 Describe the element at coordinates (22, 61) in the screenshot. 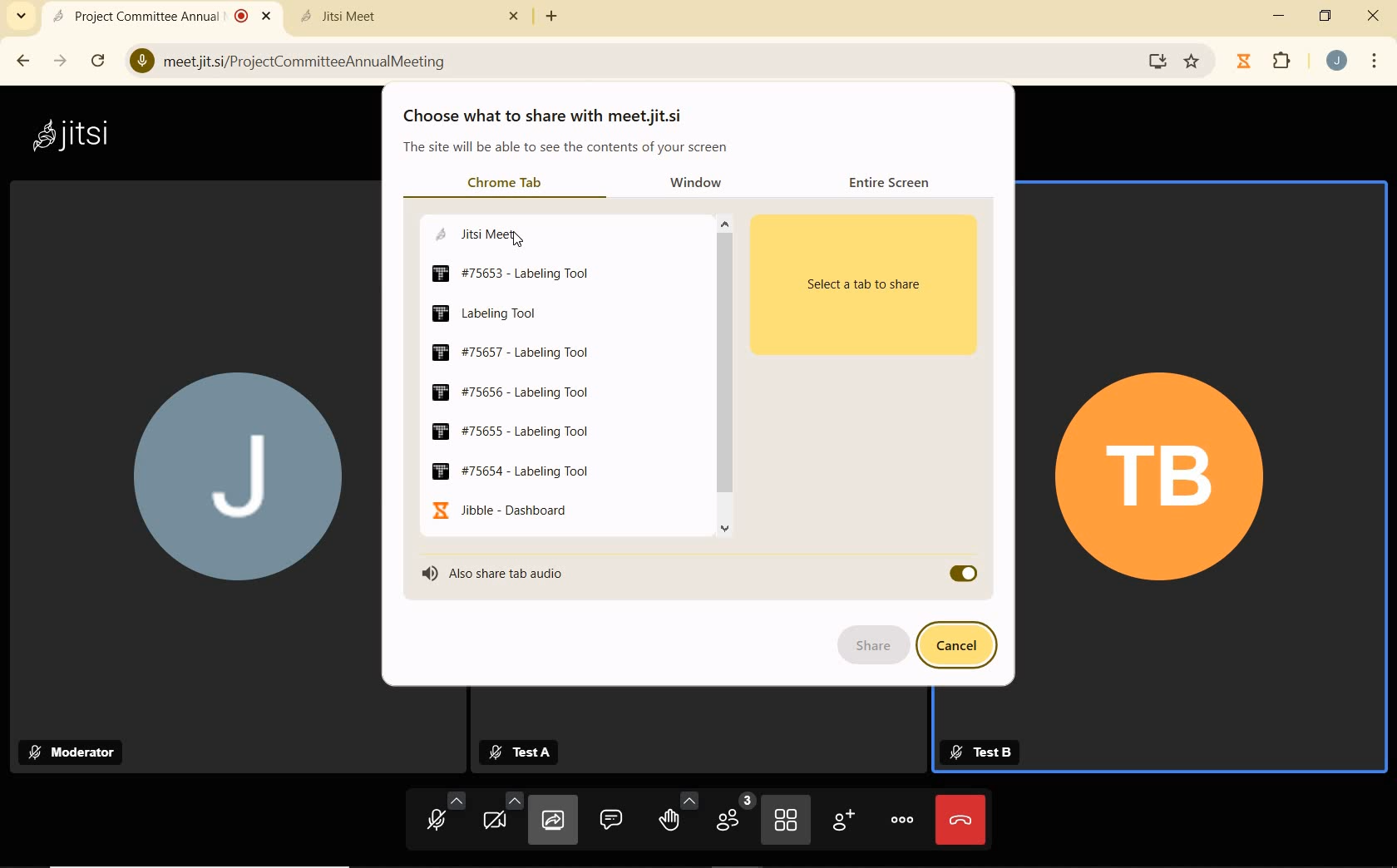

I see `BACK` at that location.